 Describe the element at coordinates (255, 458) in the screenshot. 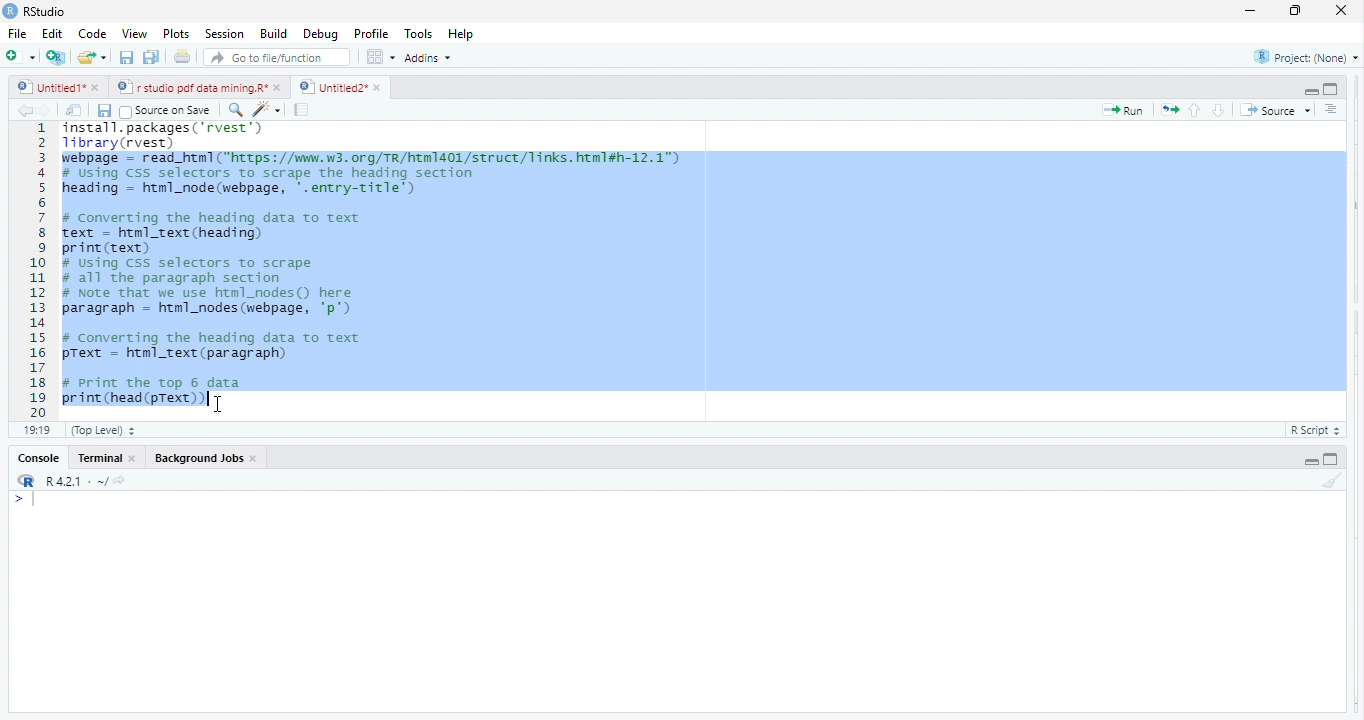

I see `close` at that location.